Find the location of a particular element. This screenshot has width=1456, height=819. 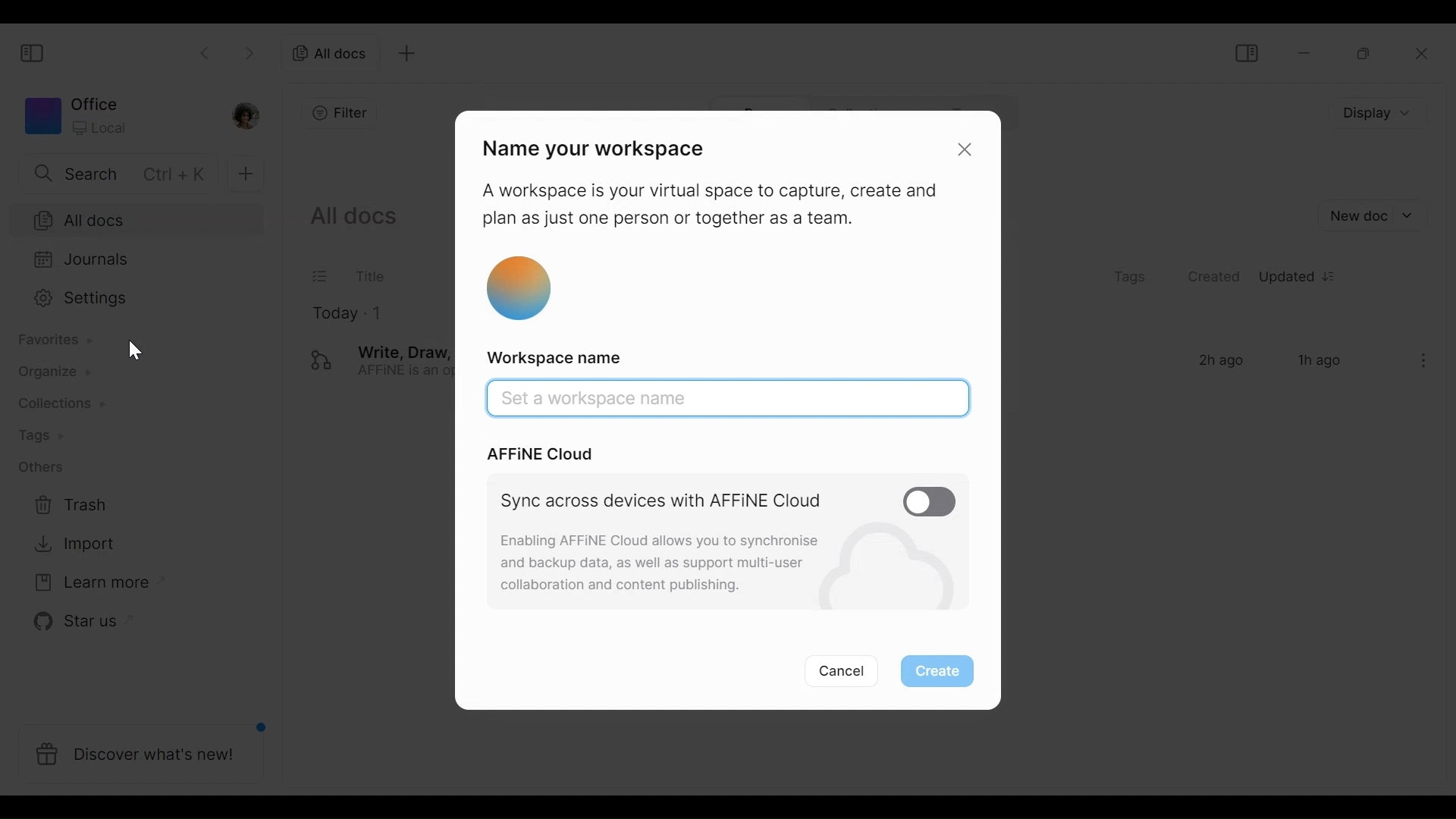

Display is located at coordinates (1377, 115).